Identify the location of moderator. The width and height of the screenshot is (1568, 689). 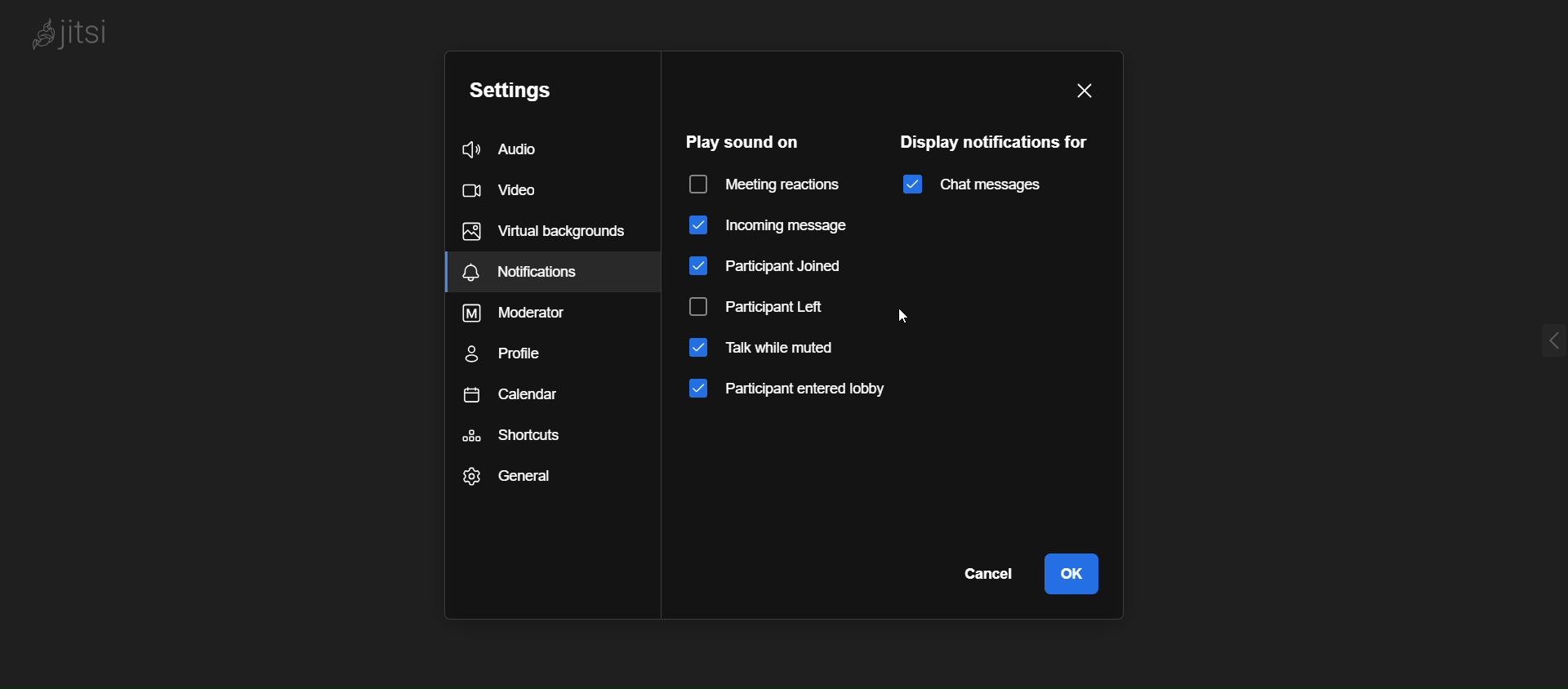
(539, 310).